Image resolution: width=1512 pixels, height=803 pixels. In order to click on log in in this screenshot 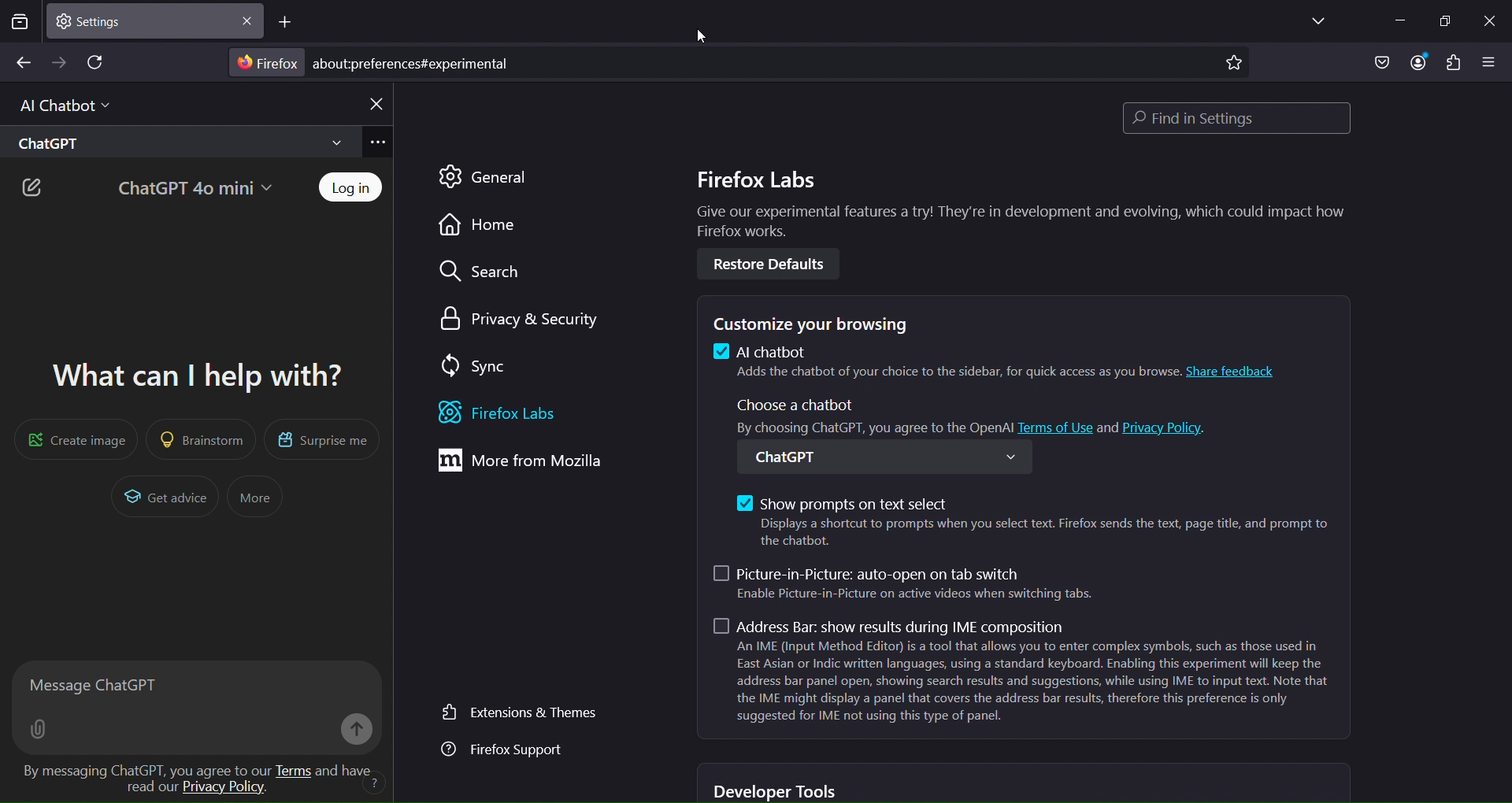, I will do `click(353, 188)`.